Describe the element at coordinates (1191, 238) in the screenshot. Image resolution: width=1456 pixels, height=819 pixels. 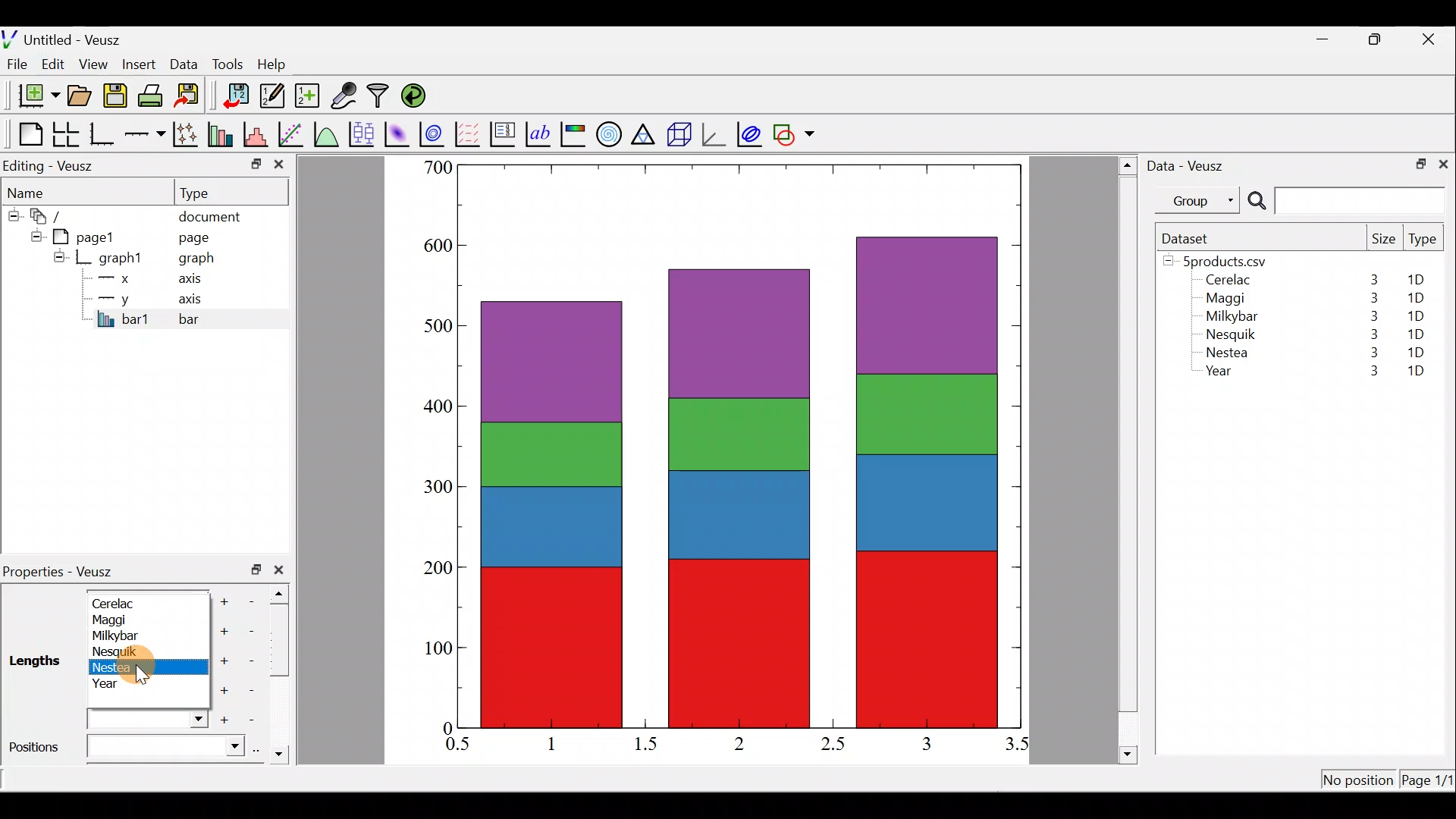
I see `Dataset` at that location.